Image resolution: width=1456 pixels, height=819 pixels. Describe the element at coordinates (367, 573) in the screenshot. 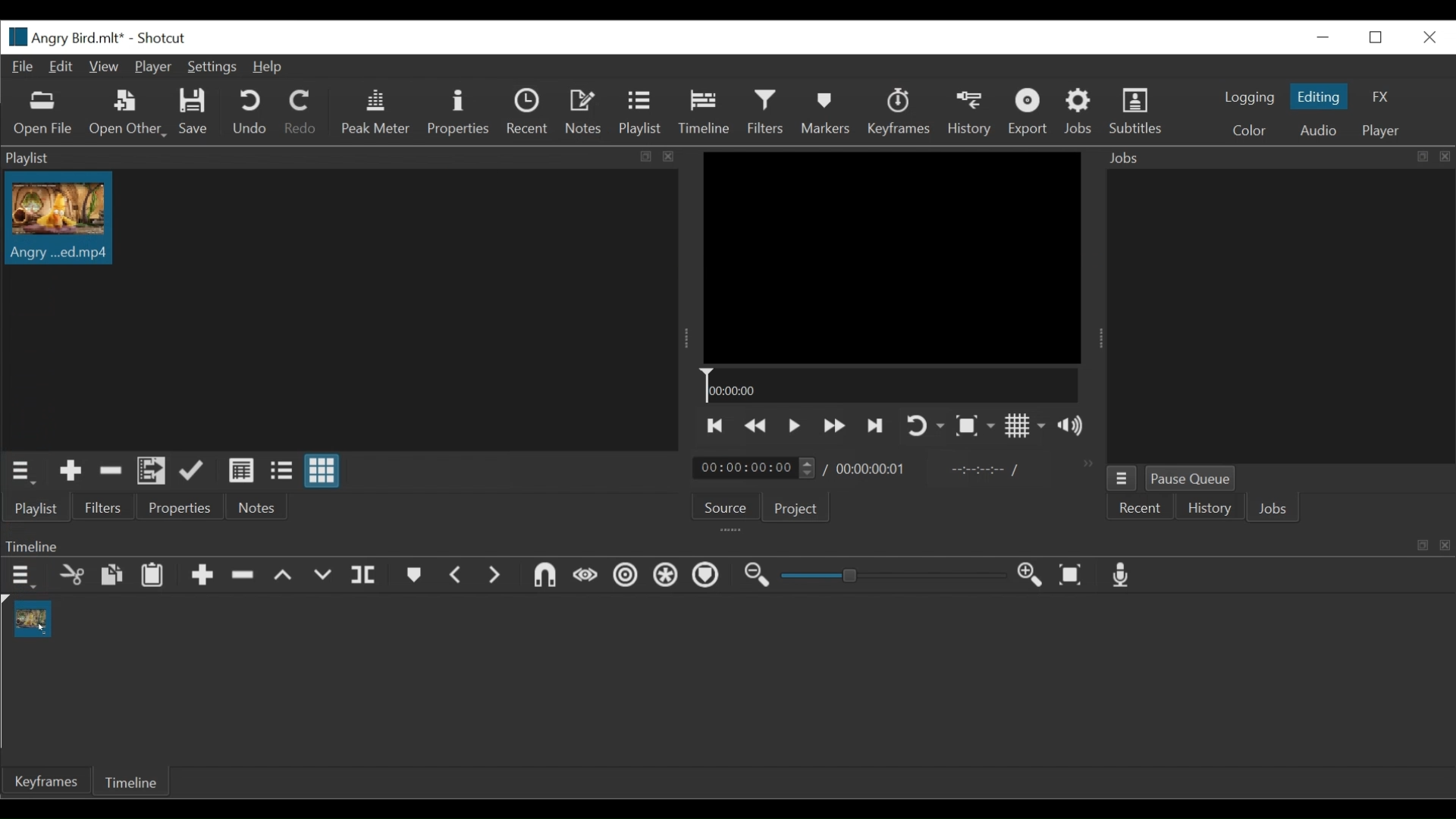

I see `split` at that location.